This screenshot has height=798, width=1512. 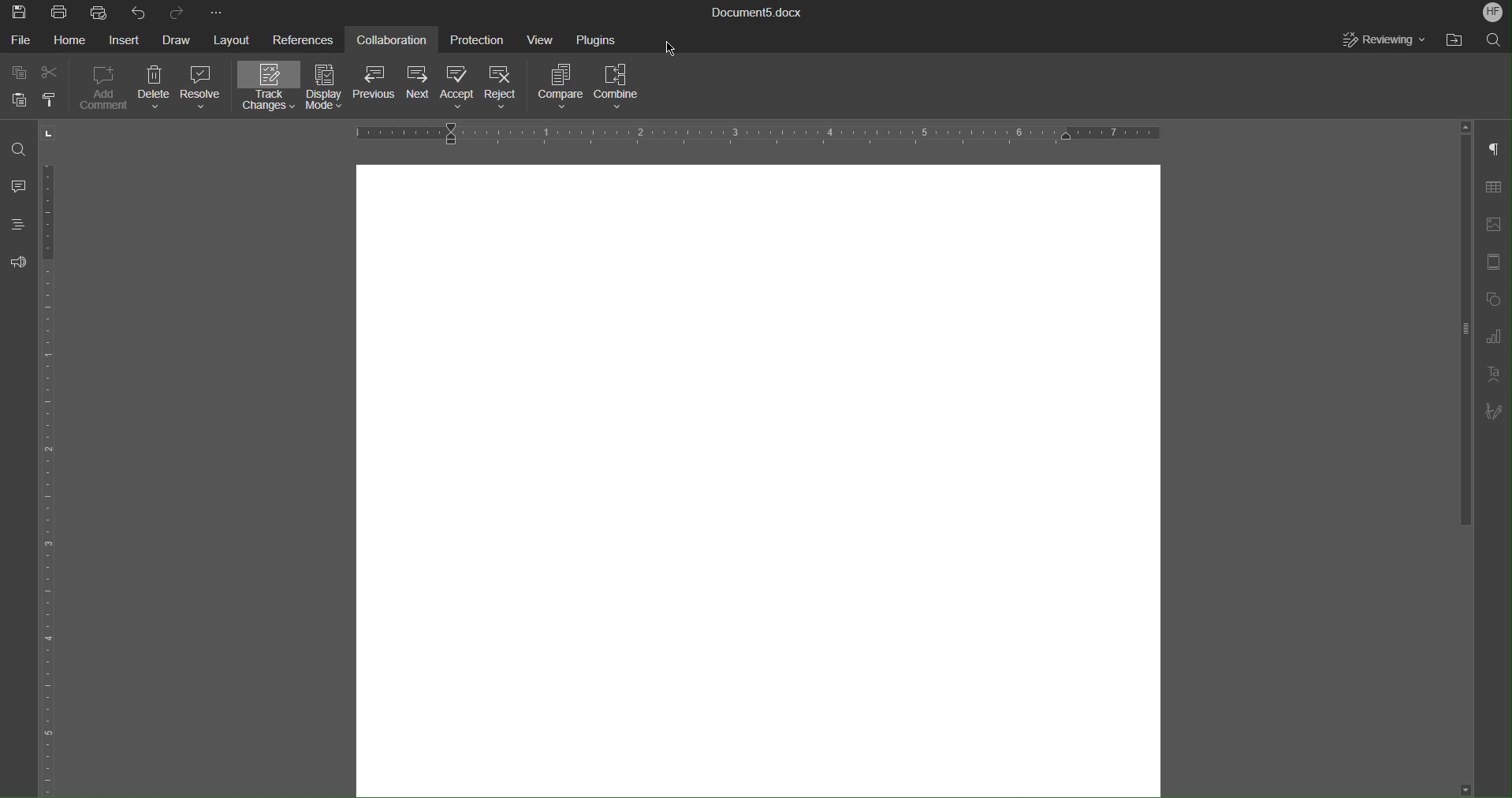 What do you see at coordinates (60, 130) in the screenshot?
I see `cursor` at bounding box center [60, 130].